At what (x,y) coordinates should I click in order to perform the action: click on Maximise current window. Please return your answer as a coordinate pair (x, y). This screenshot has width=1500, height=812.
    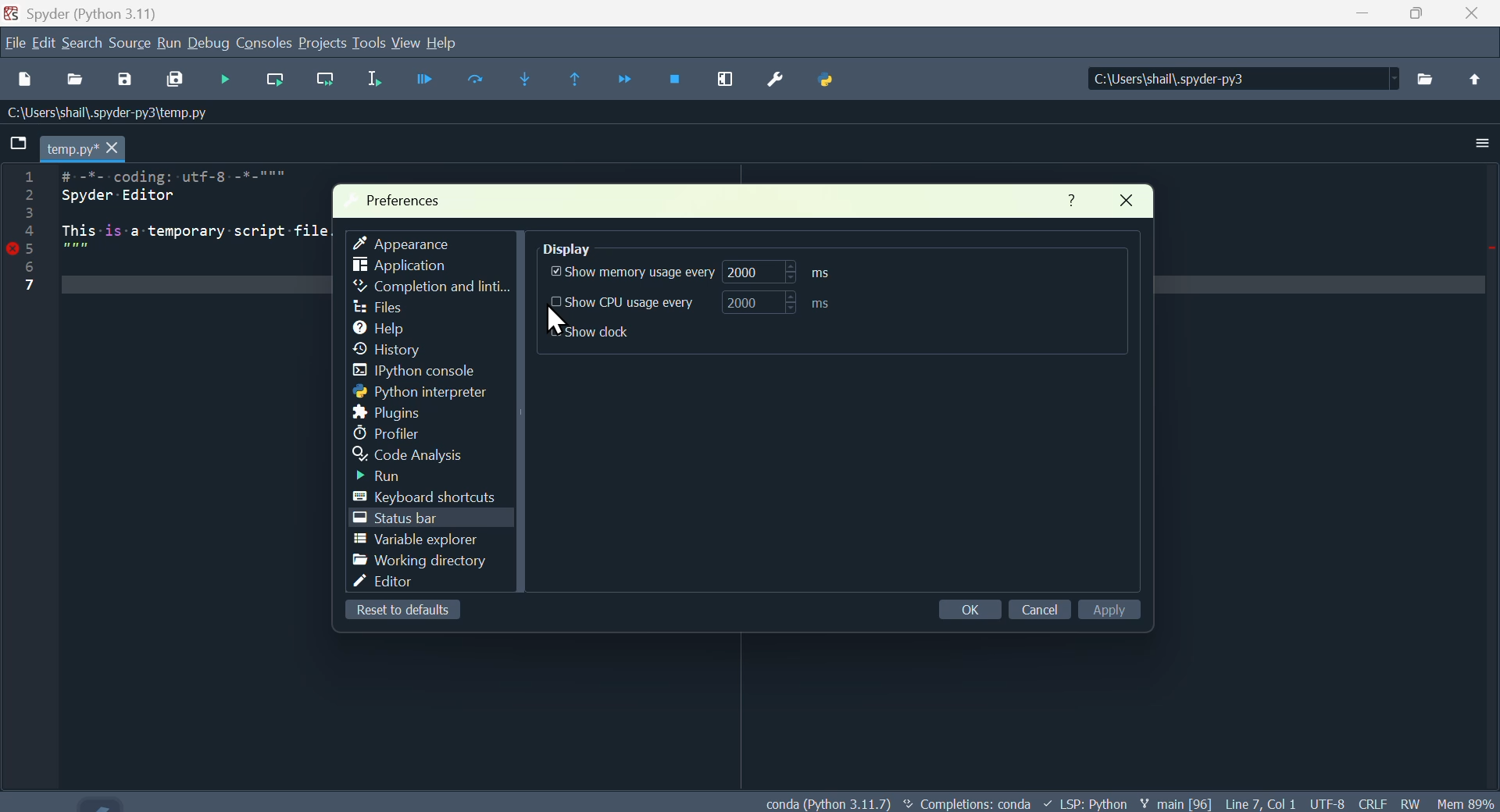
    Looking at the image, I should click on (727, 81).